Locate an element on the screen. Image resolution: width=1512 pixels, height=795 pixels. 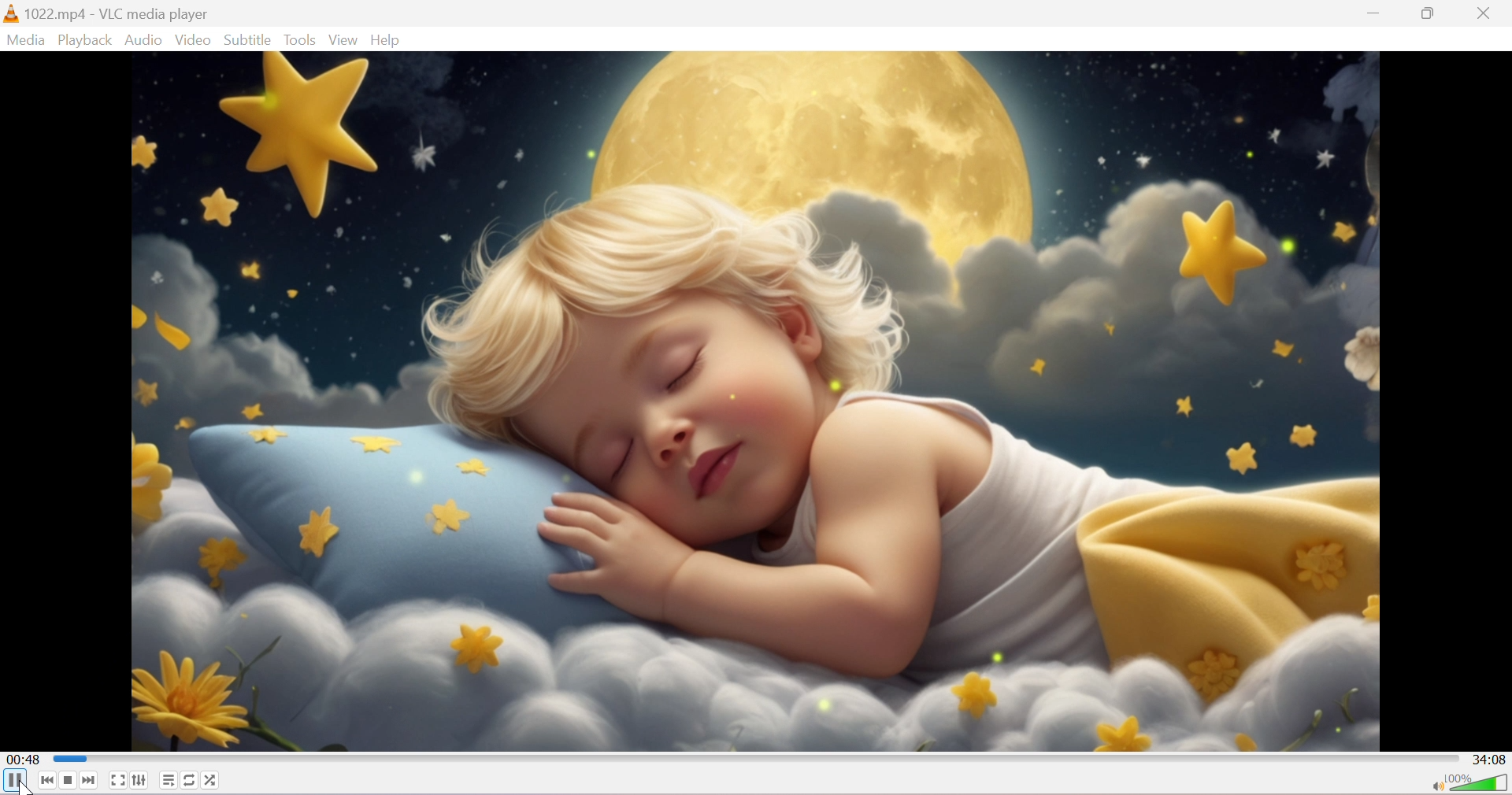
Help is located at coordinates (384, 41).